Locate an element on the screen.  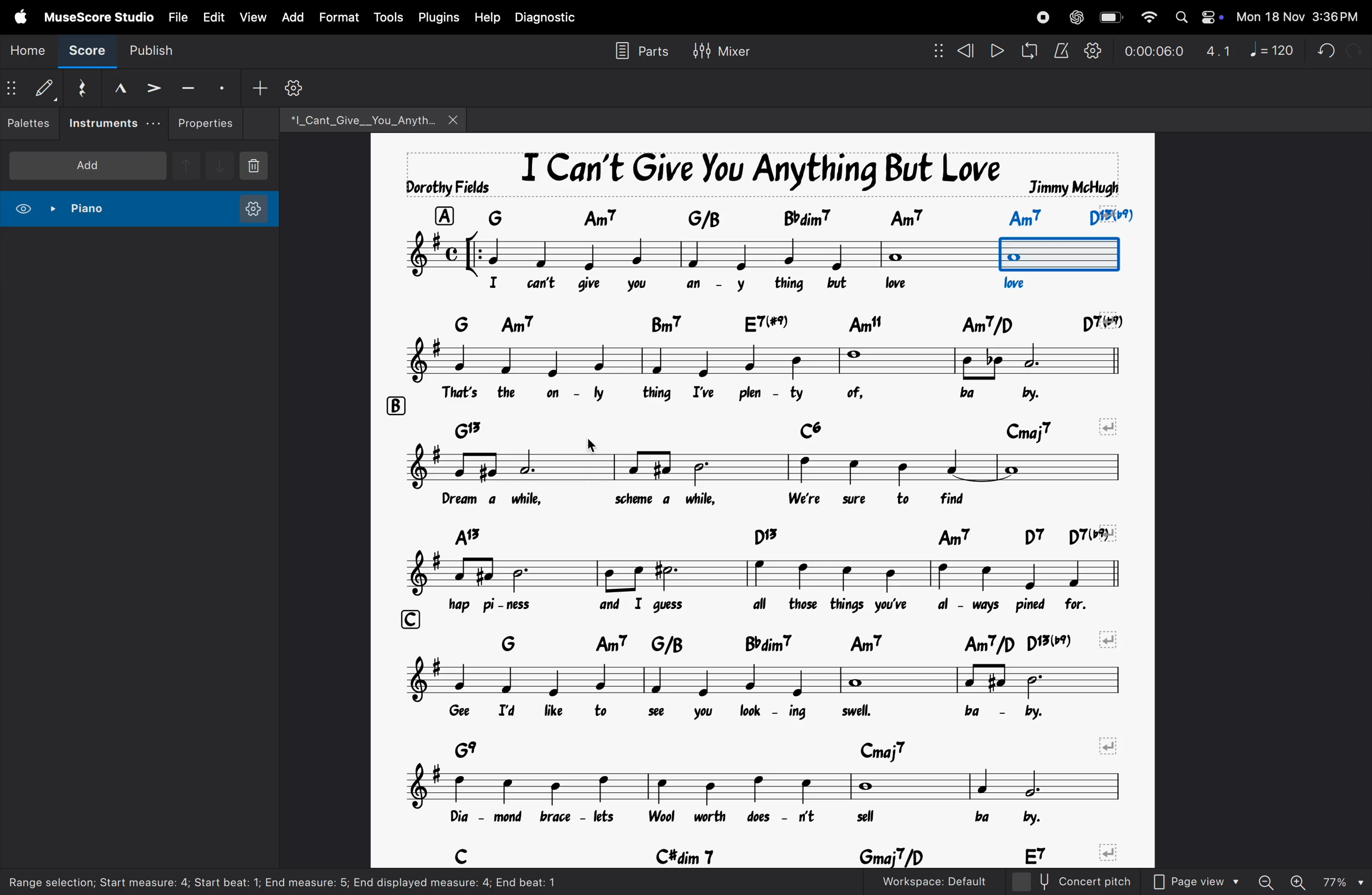
row is located at coordinates (395, 405).